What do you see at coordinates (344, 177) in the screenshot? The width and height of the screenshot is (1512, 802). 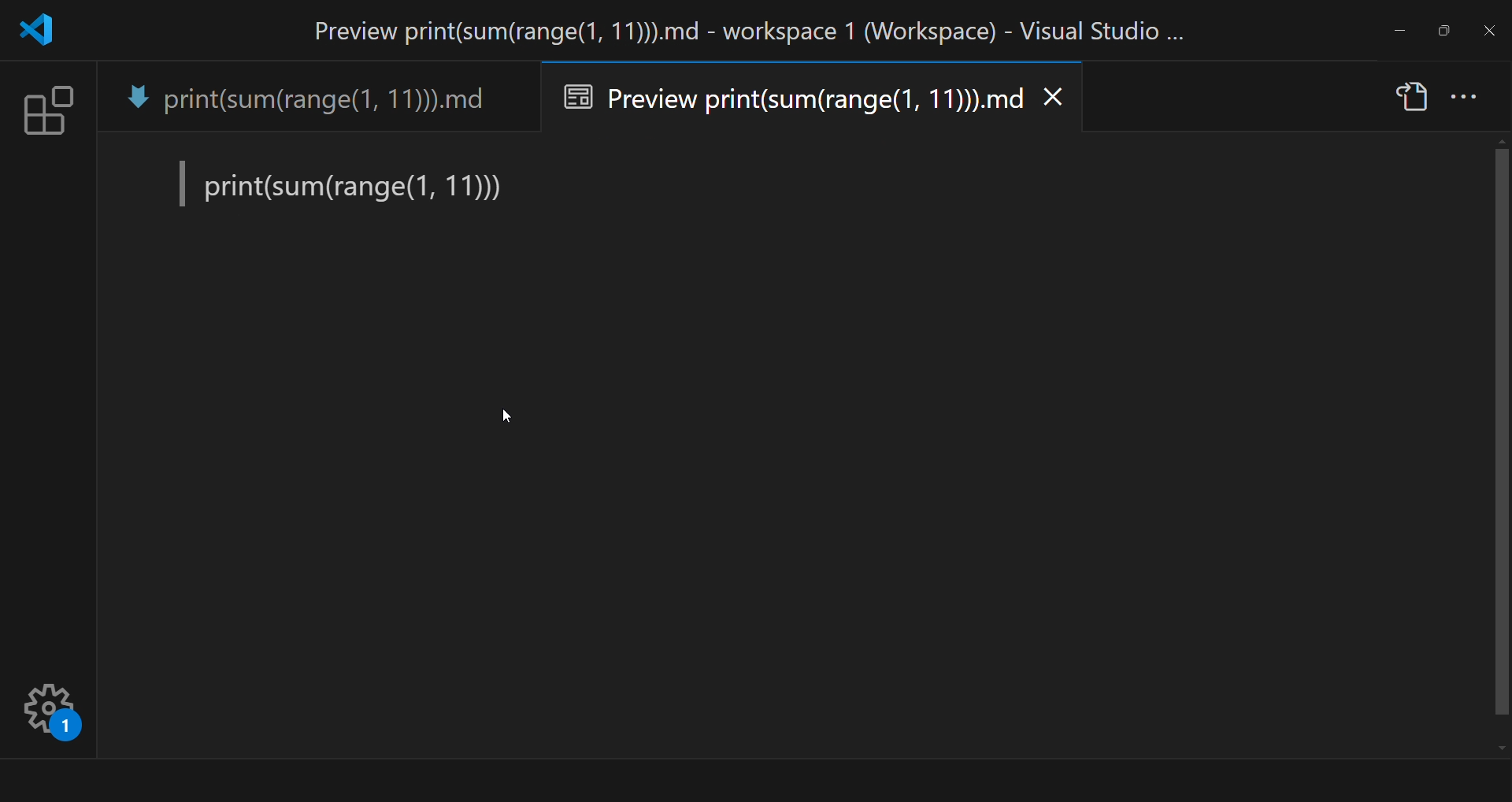 I see `preview` at bounding box center [344, 177].